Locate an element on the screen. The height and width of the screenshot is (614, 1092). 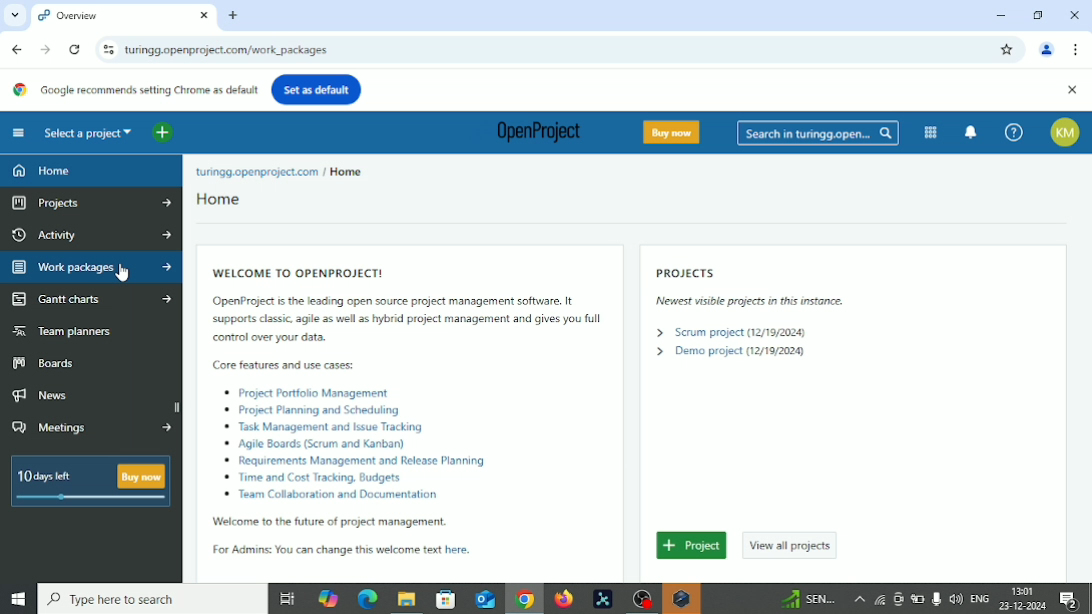
Notifications is located at coordinates (1075, 600).